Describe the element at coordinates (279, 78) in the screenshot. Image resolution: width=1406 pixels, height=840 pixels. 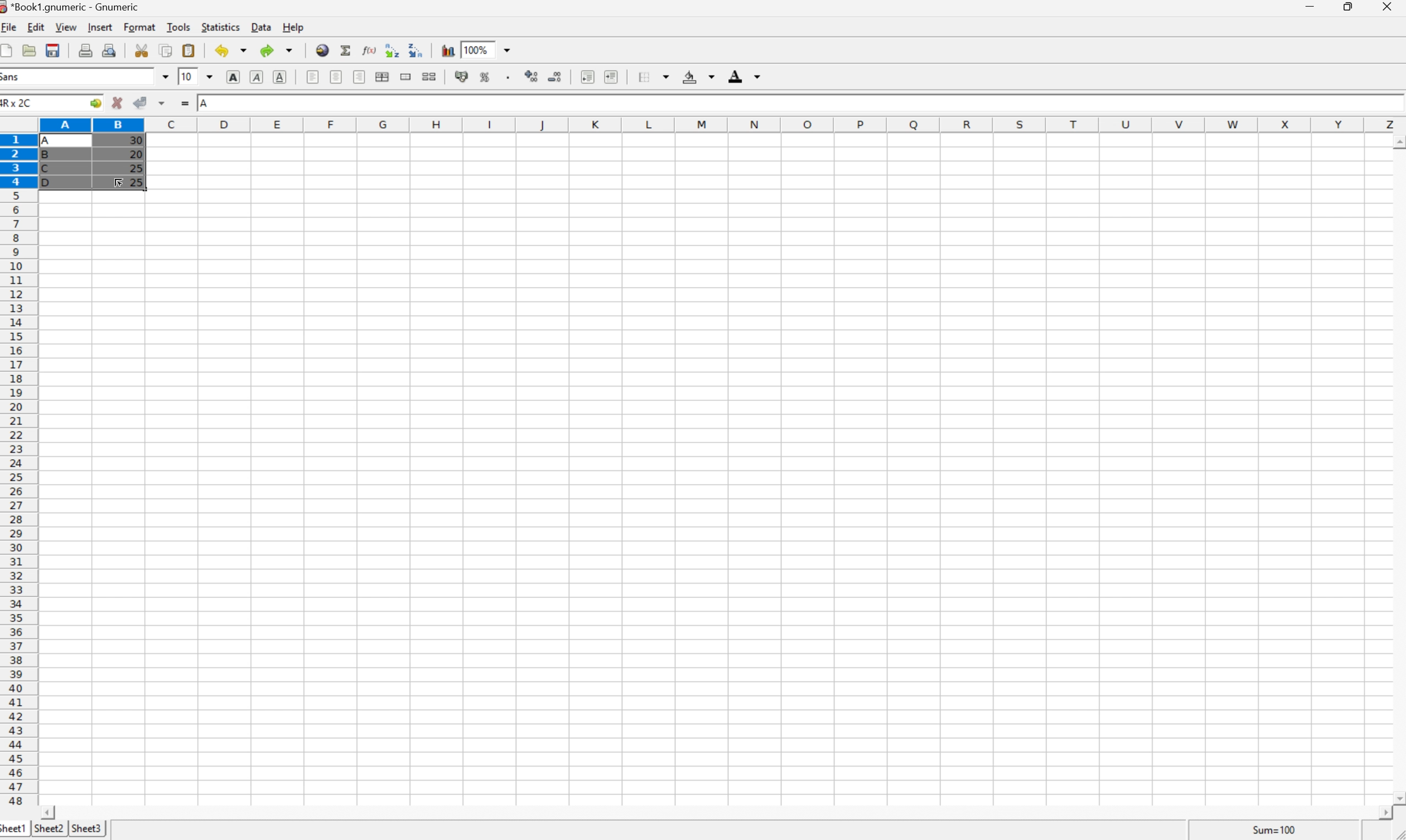
I see `Underline` at that location.